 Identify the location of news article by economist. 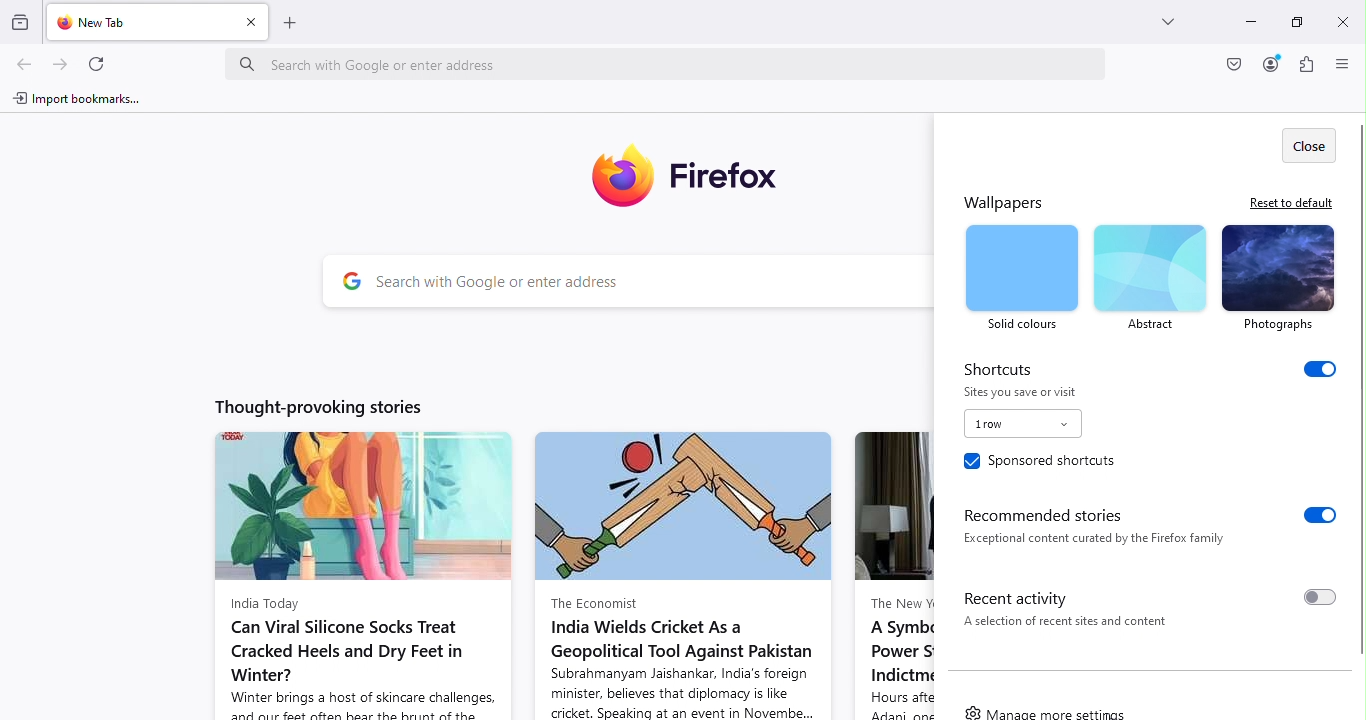
(686, 575).